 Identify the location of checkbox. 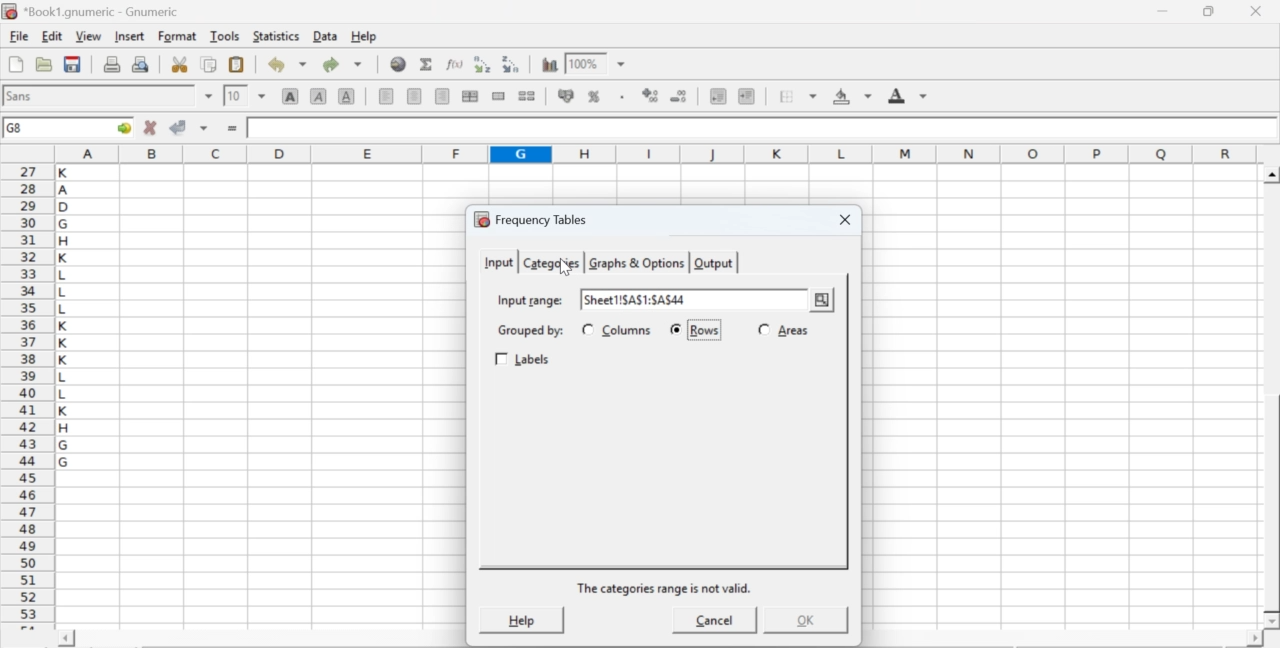
(678, 330).